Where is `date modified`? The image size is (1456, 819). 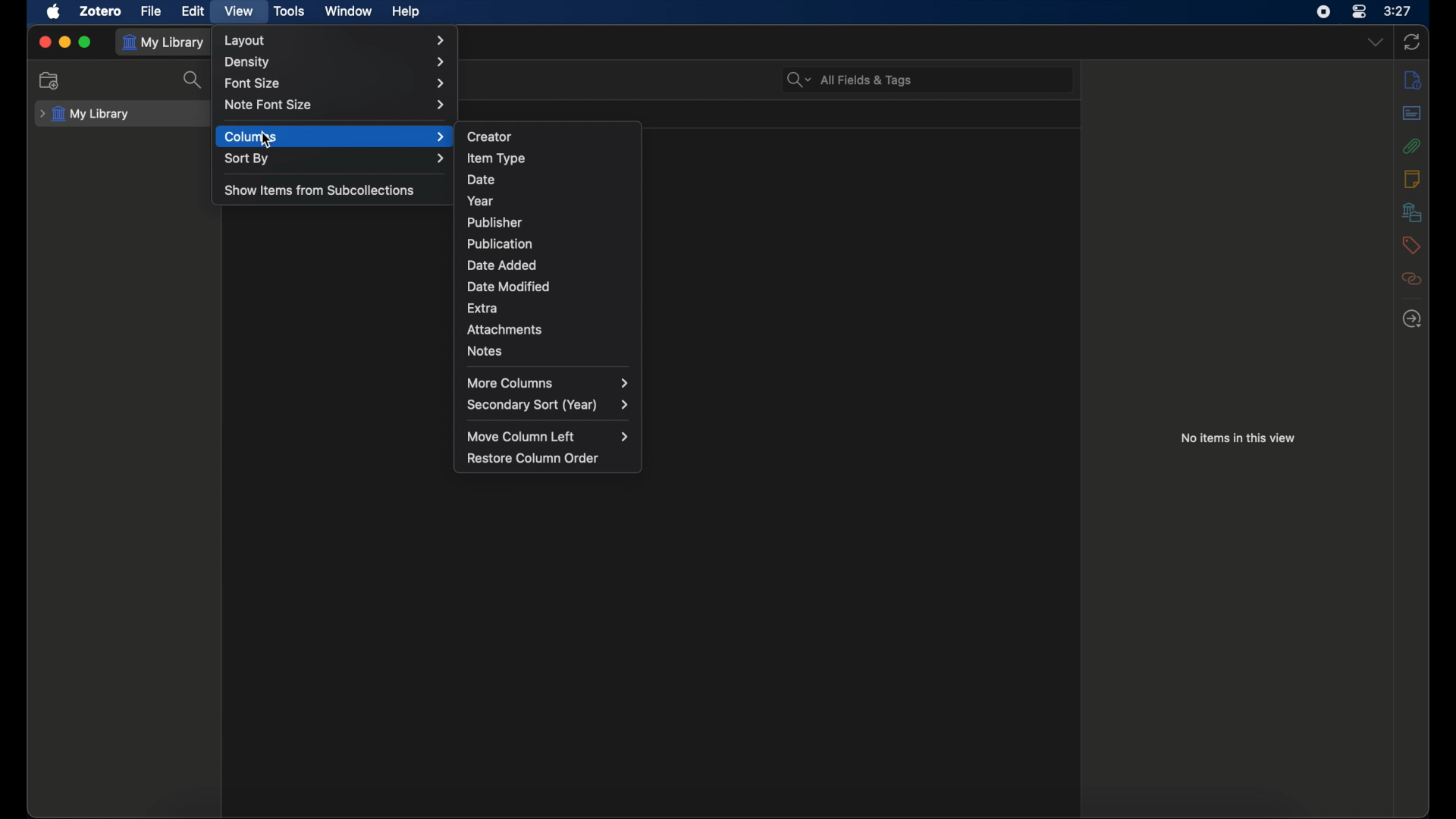
date modified is located at coordinates (509, 287).